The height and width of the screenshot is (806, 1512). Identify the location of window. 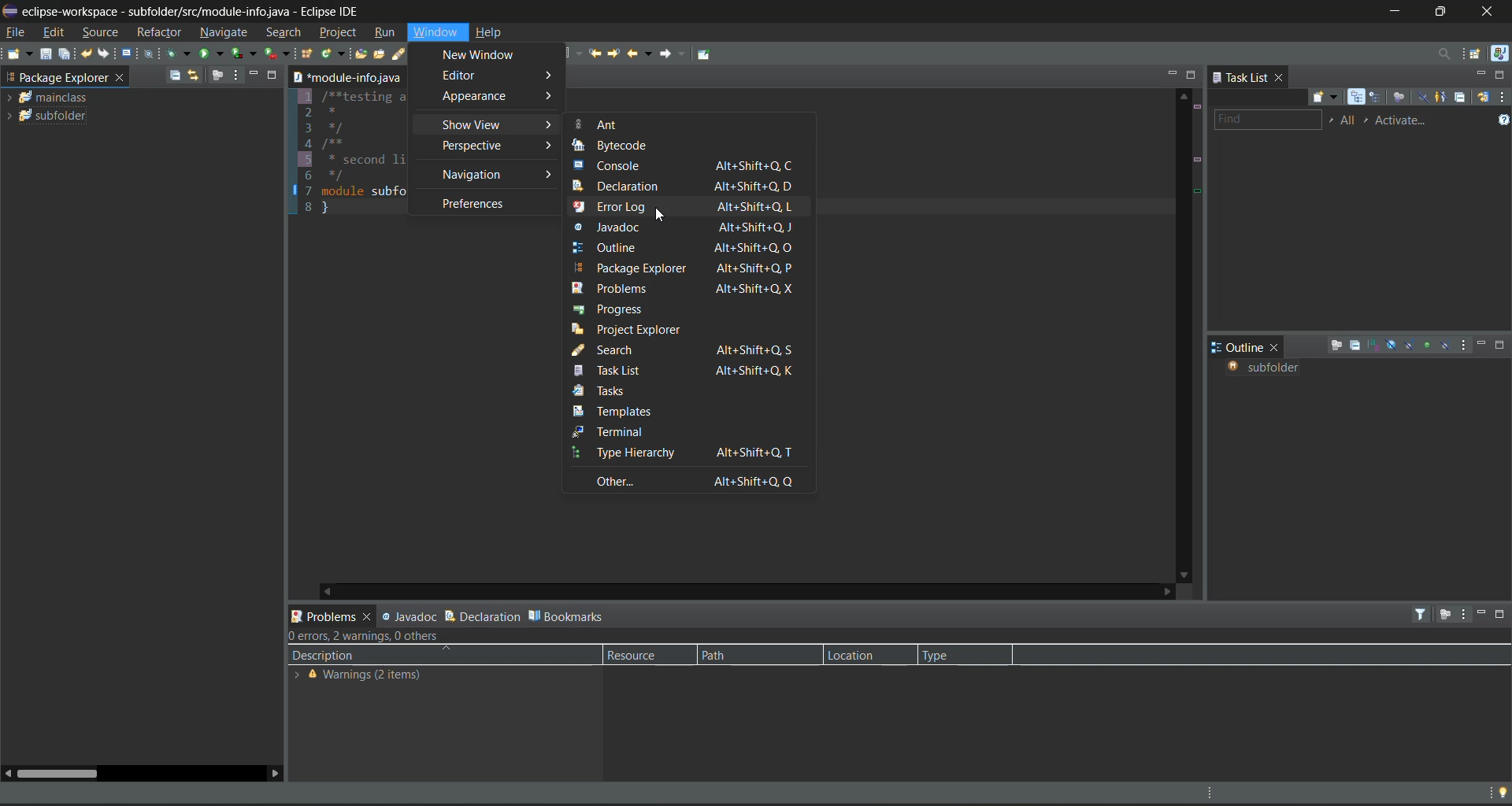
(437, 32).